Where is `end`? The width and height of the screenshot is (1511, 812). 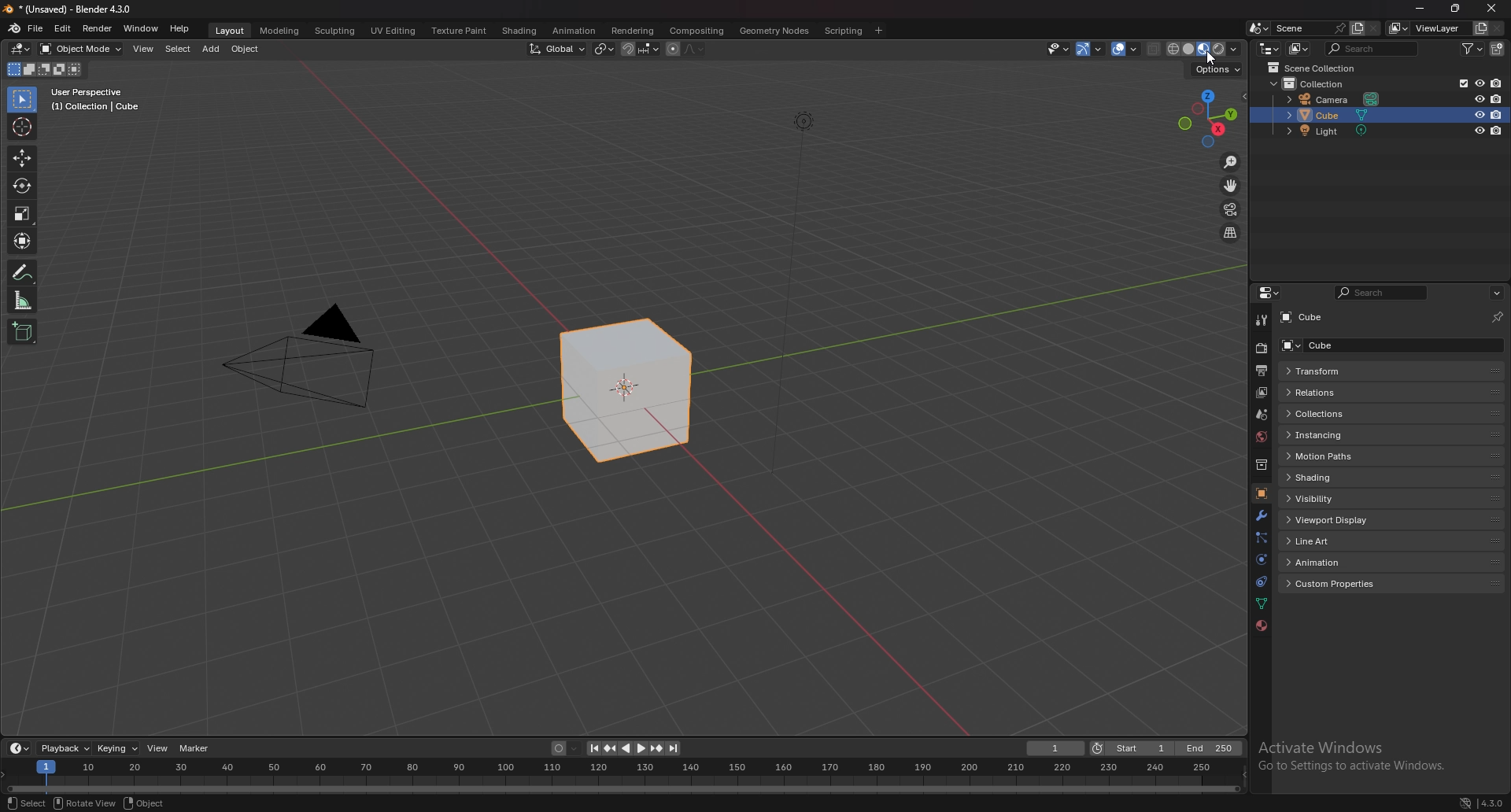
end is located at coordinates (1212, 748).